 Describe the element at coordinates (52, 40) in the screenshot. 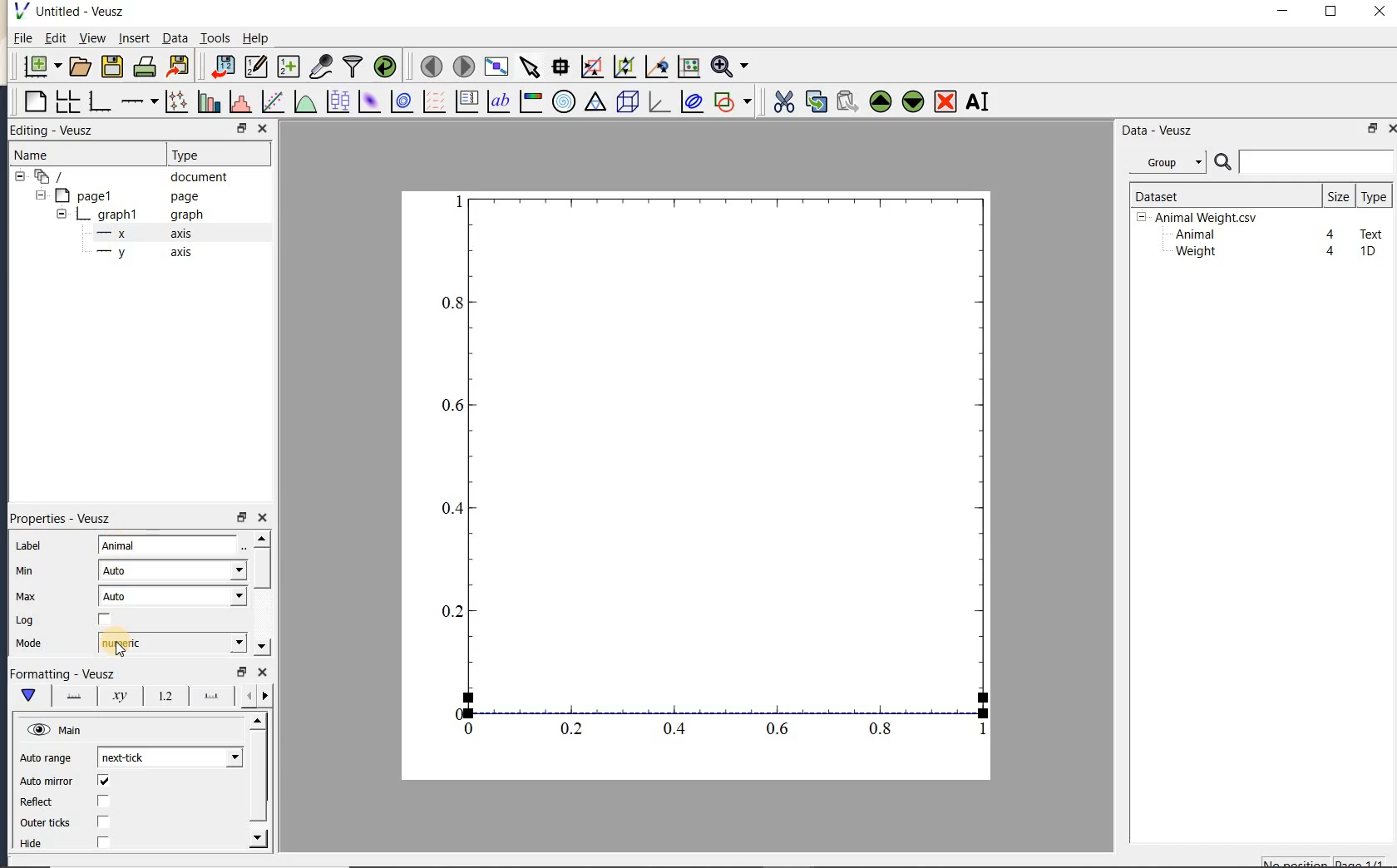

I see `Edit` at that location.